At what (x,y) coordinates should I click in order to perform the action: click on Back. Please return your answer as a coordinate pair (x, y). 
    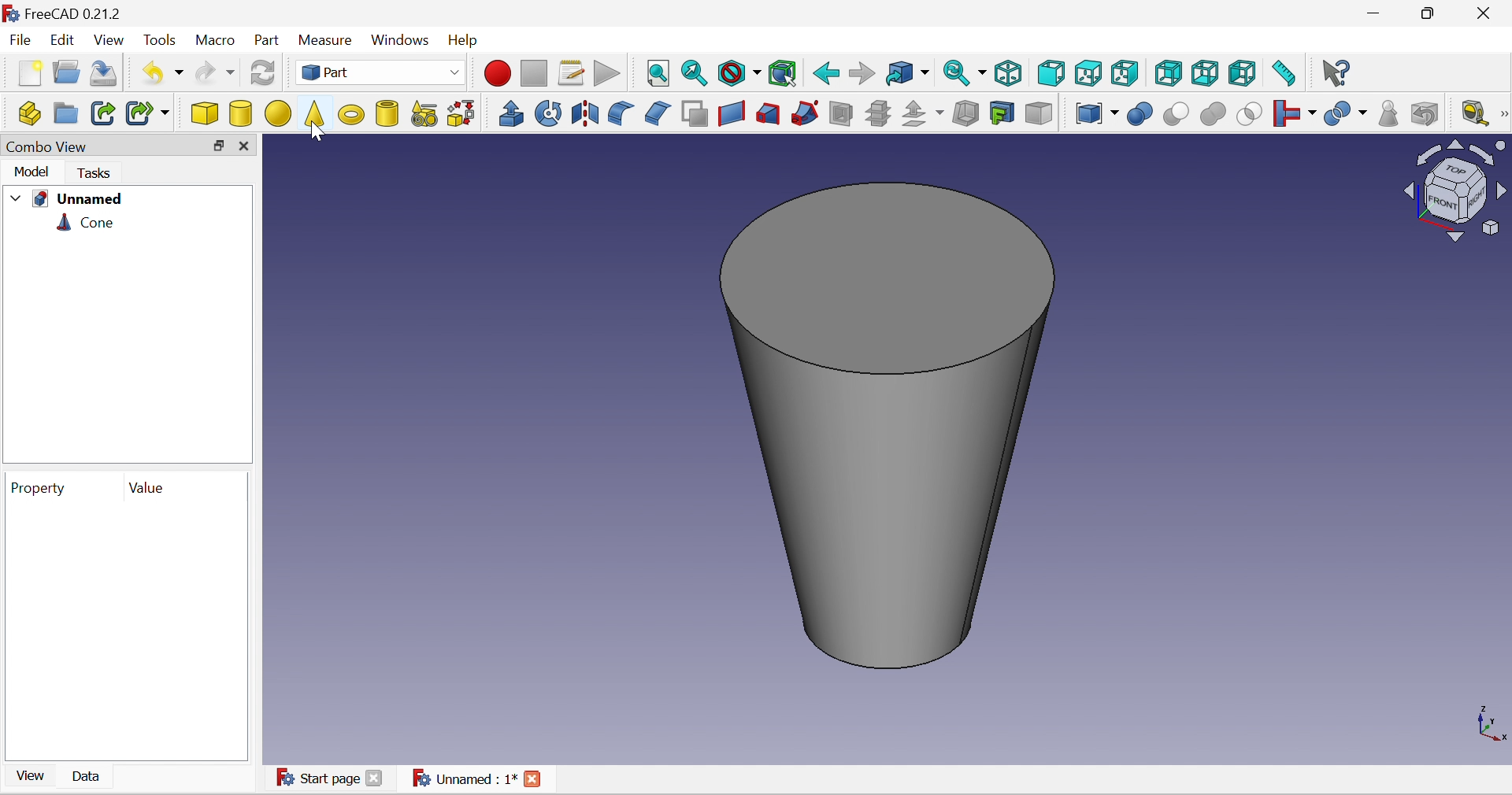
    Looking at the image, I should click on (826, 75).